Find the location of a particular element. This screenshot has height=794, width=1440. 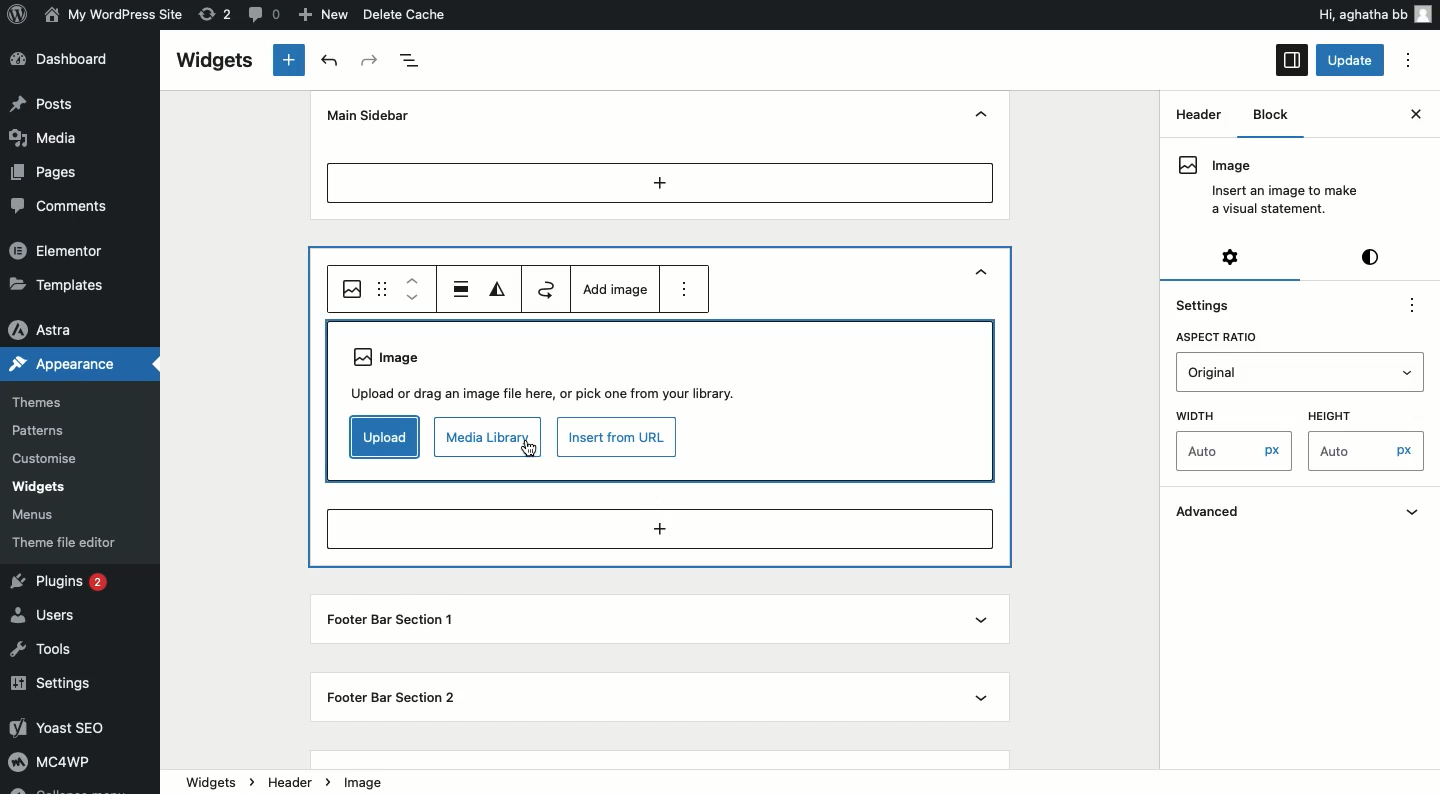

Comments is located at coordinates (54, 205).